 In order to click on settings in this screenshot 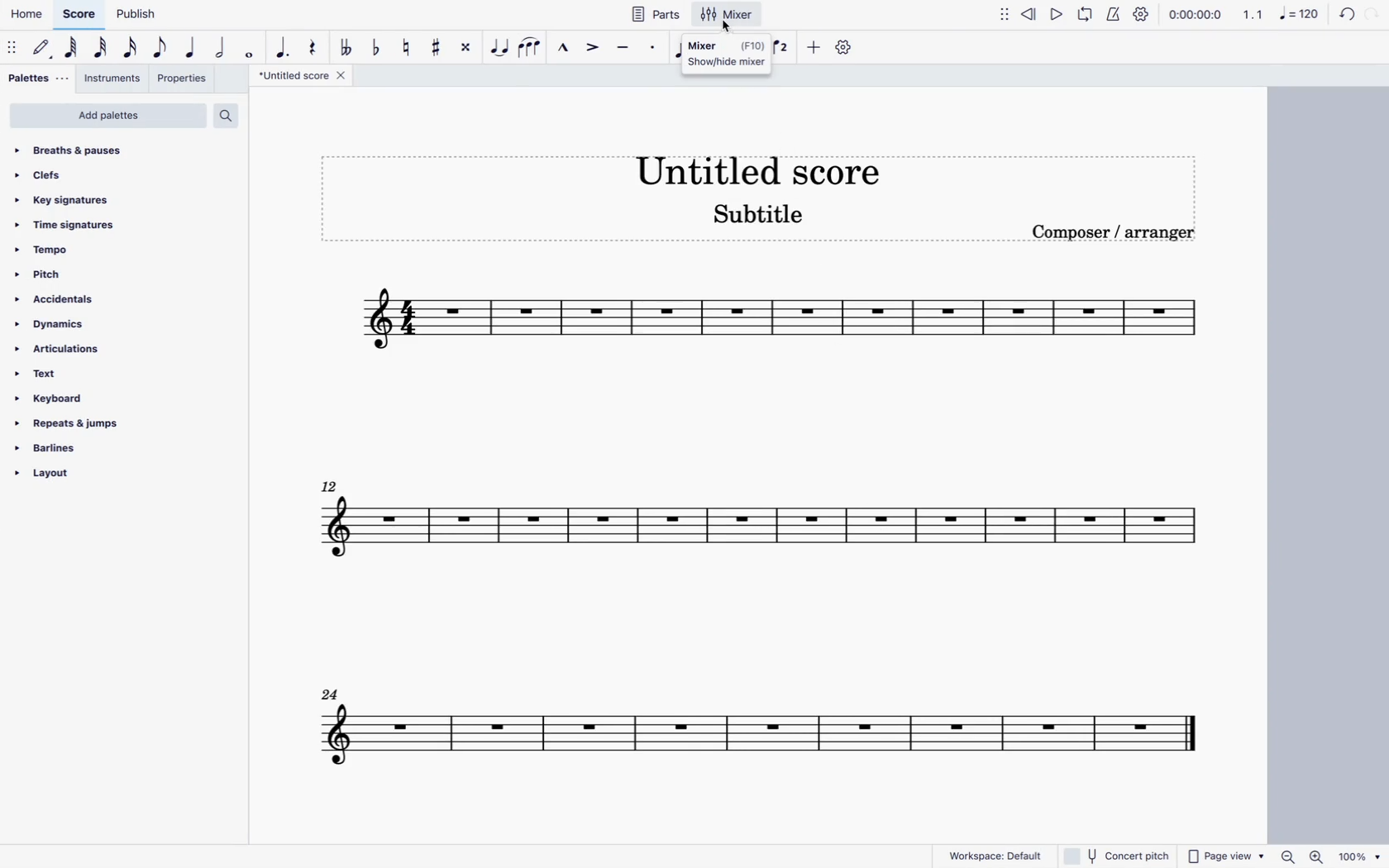, I will do `click(846, 47)`.